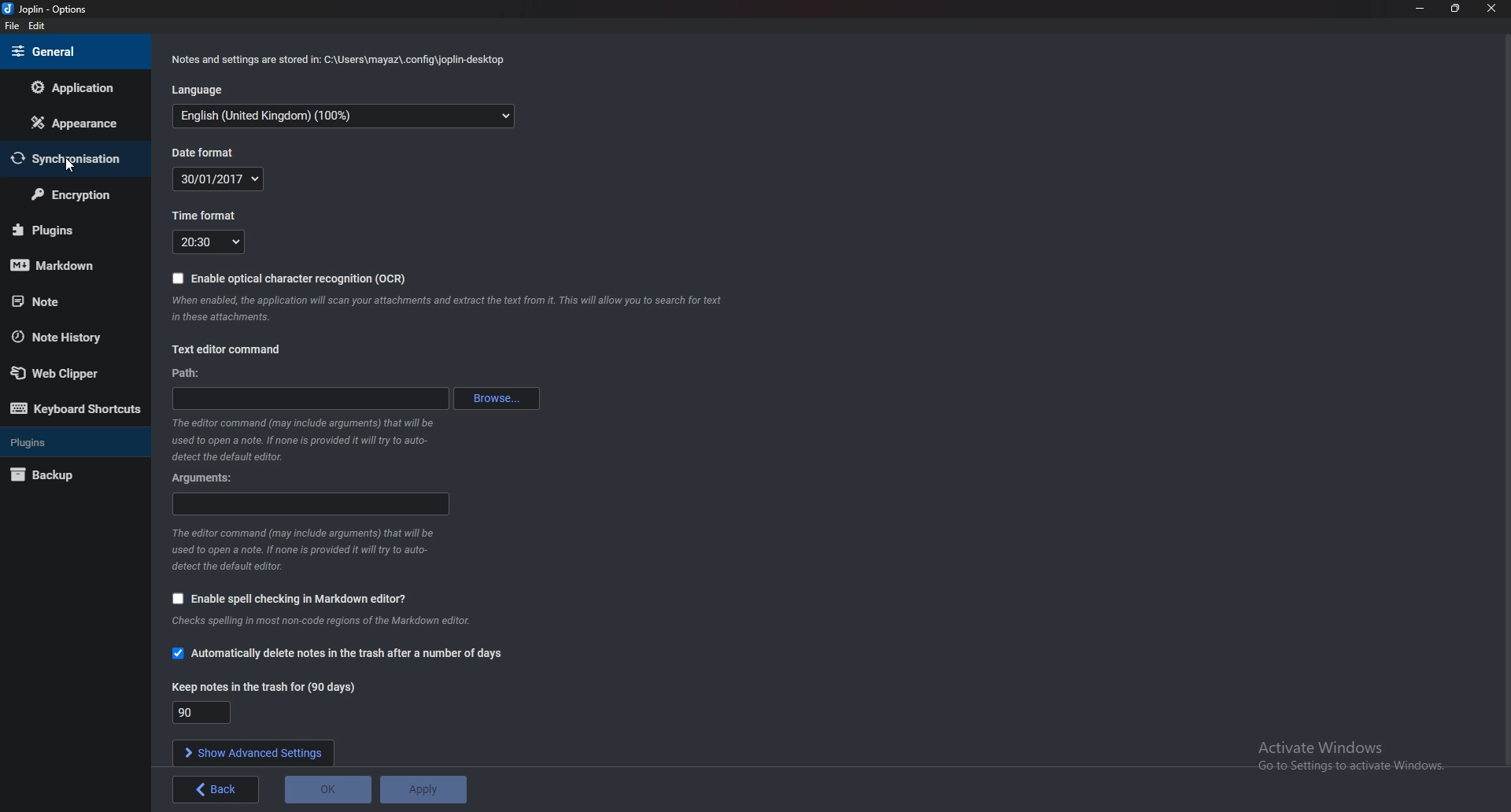 The width and height of the screenshot is (1511, 812). Describe the element at coordinates (1420, 9) in the screenshot. I see `Minimize` at that location.